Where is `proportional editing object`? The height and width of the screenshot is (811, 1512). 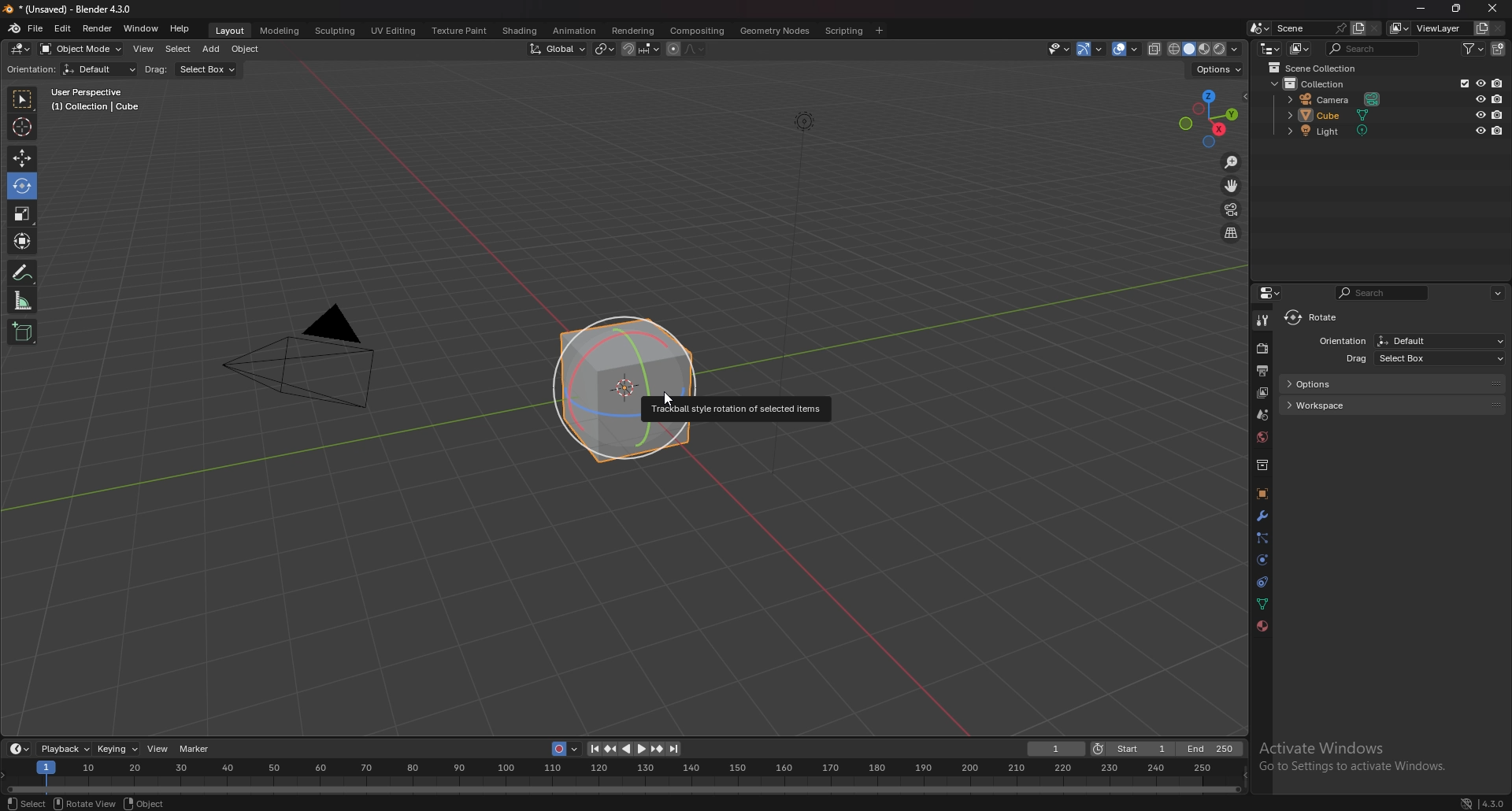
proportional editing object is located at coordinates (673, 50).